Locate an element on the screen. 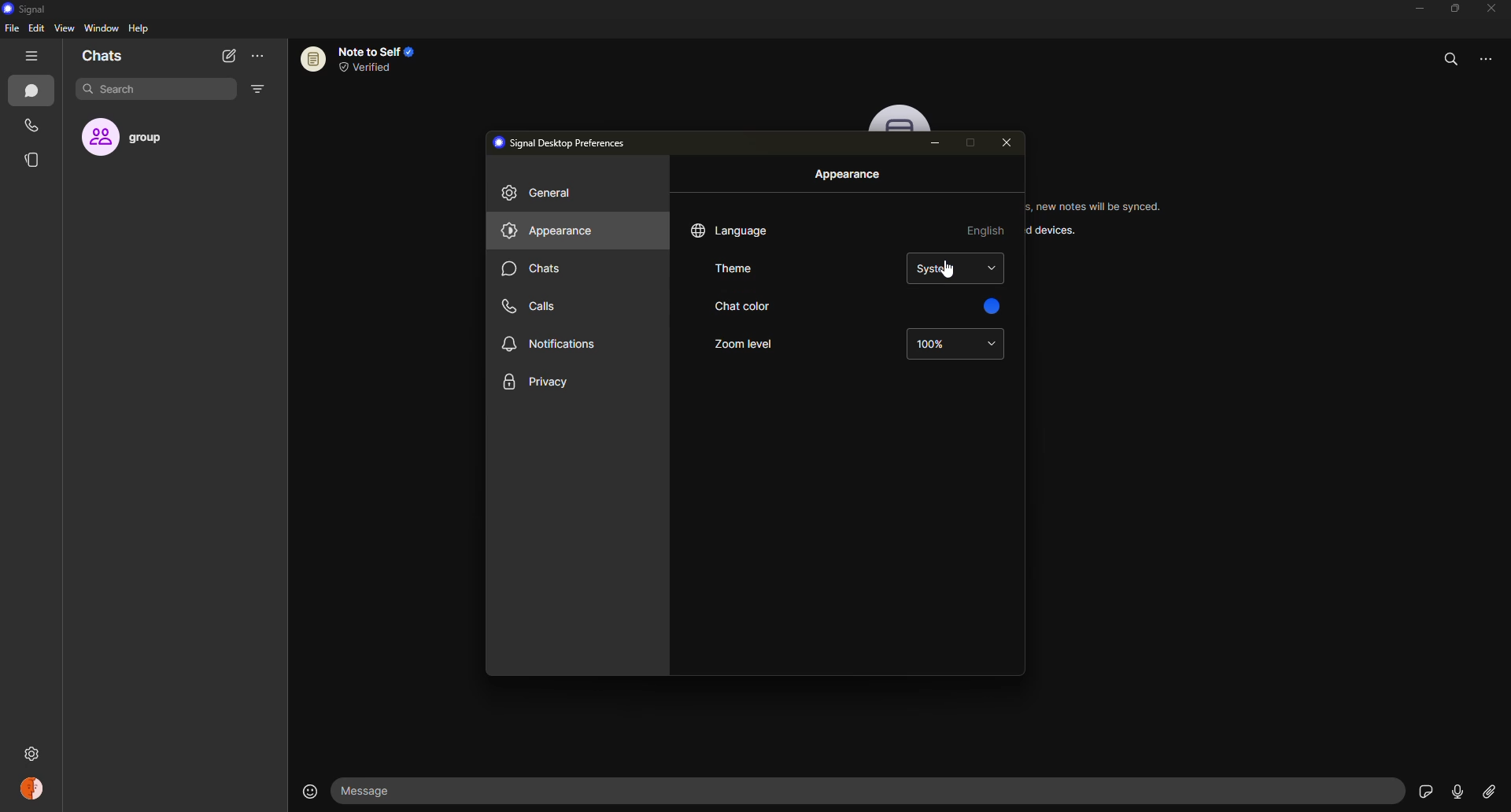  file is located at coordinates (11, 29).